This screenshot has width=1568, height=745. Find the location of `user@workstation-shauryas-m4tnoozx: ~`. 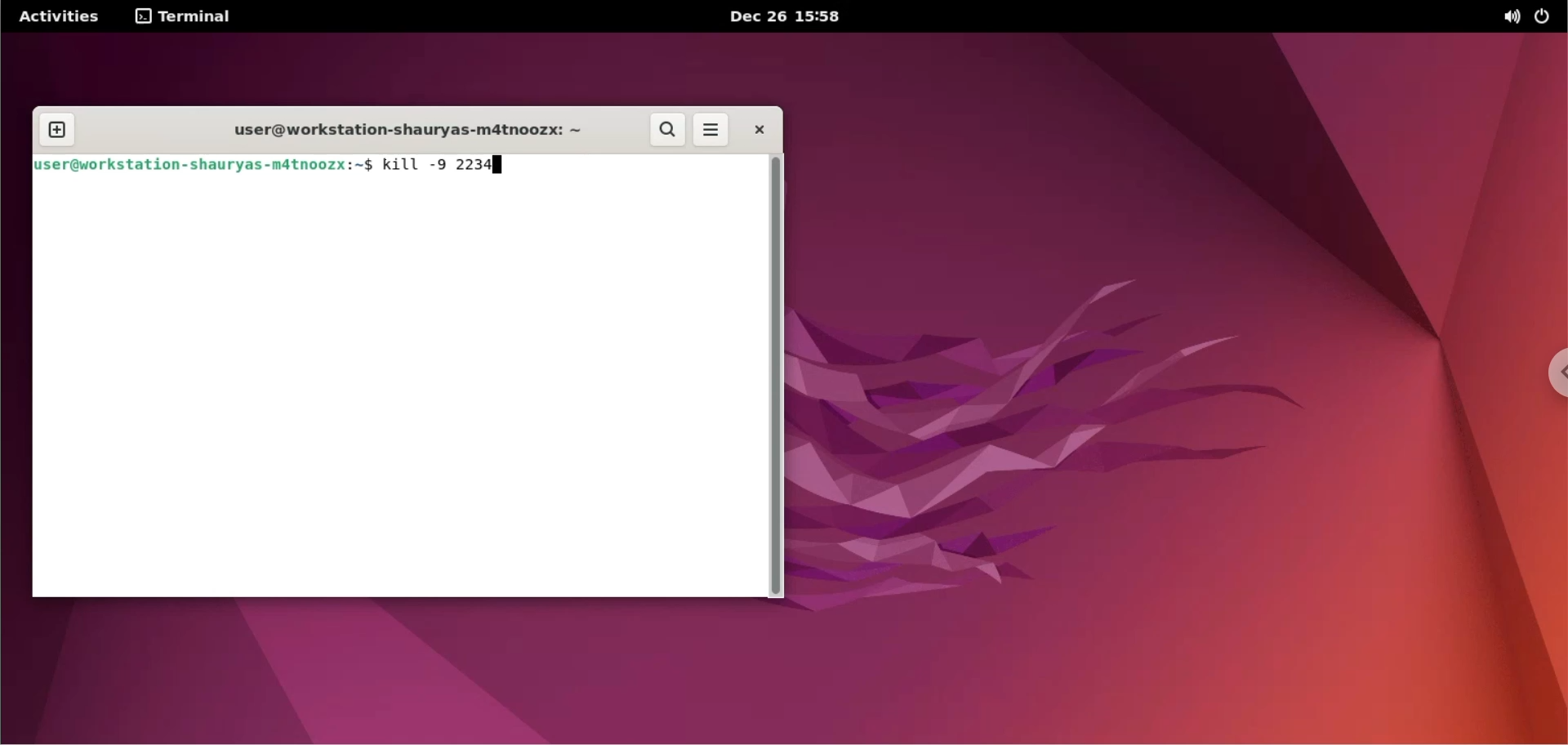

user@workstation-shauryas-m4tnoozx: ~ is located at coordinates (404, 130).